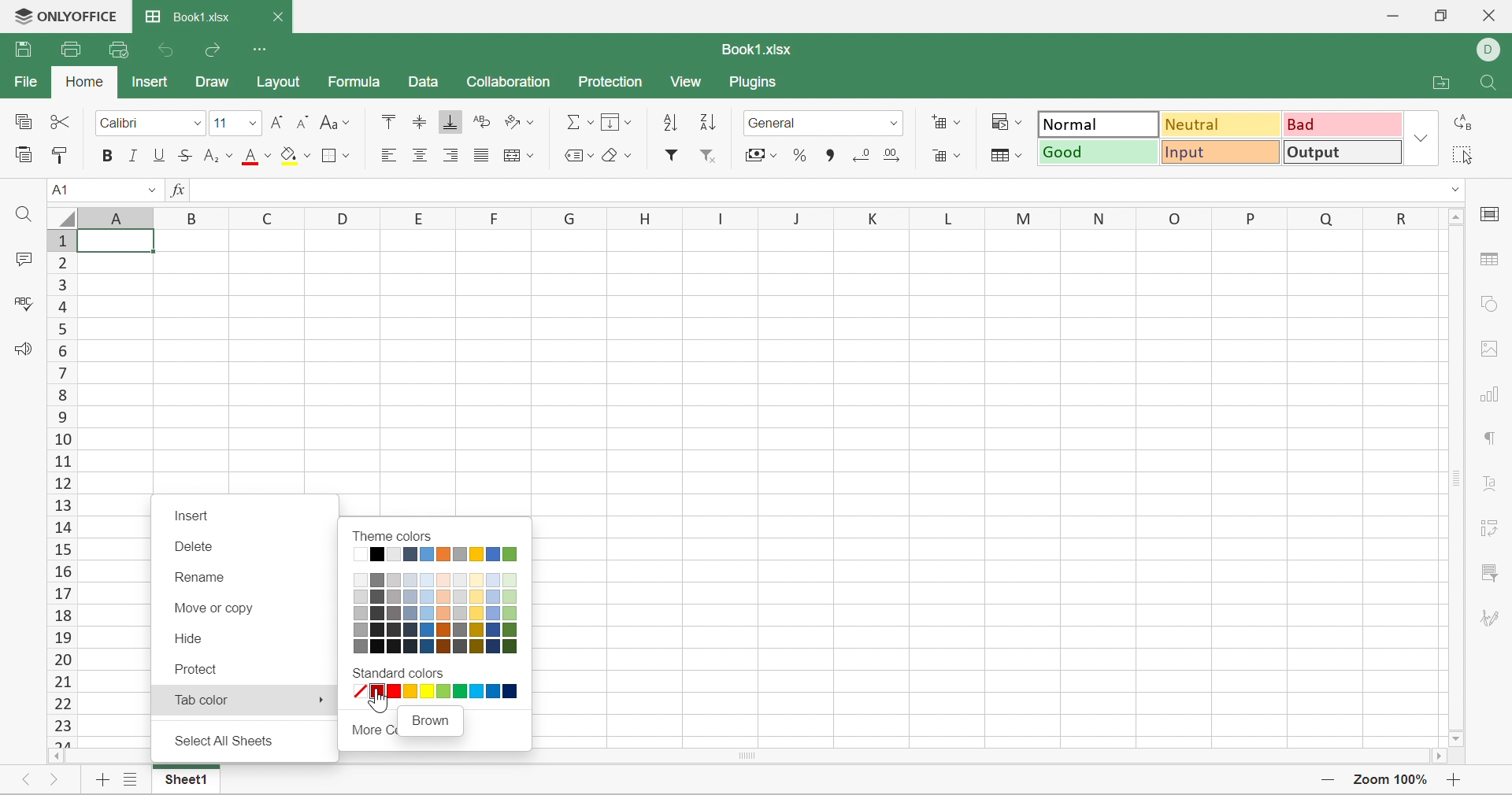 This screenshot has height=795, width=1512. Describe the element at coordinates (68, 728) in the screenshot. I see `23` at that location.